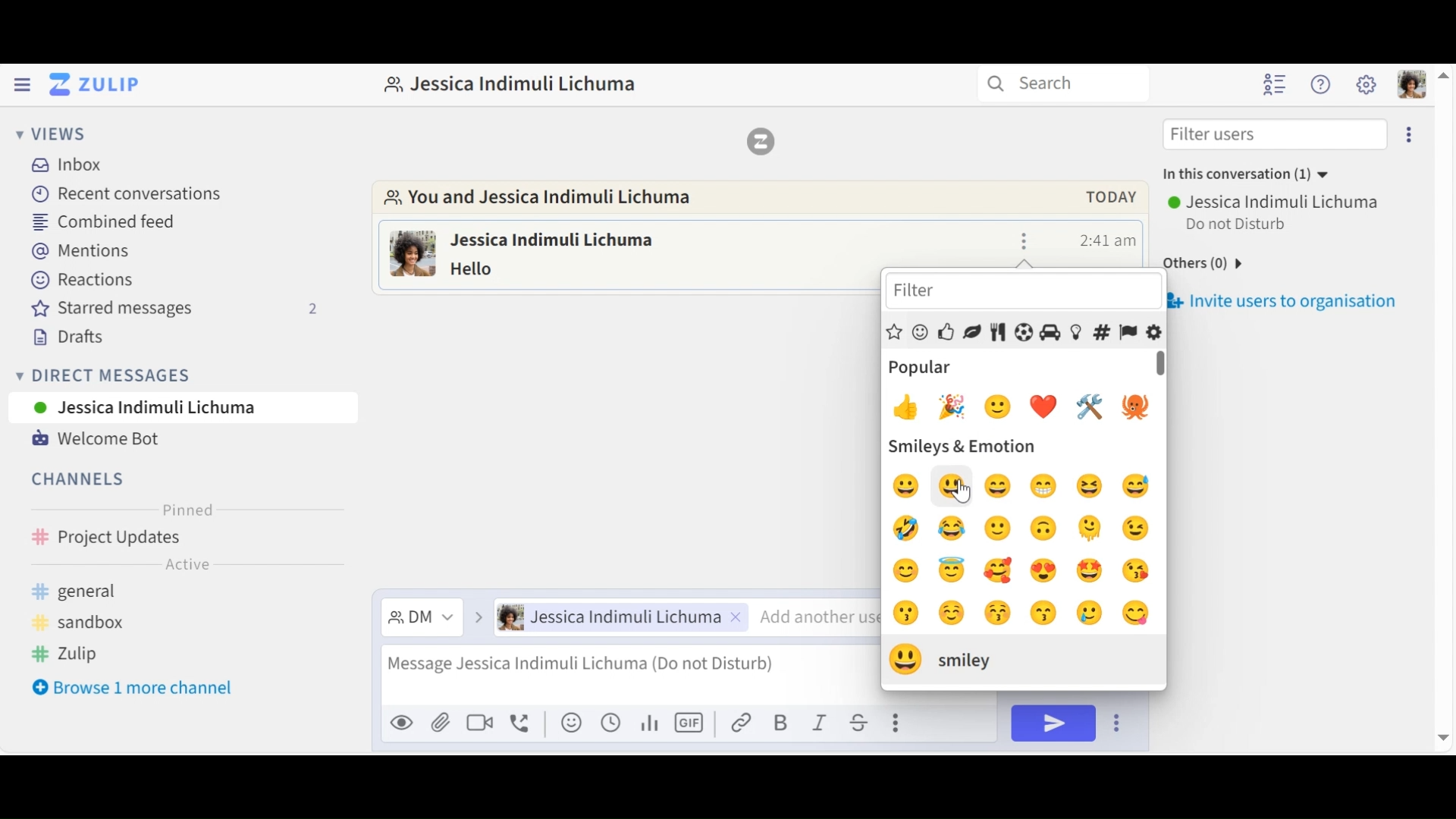  What do you see at coordinates (1095, 529) in the screenshot?
I see `melting` at bounding box center [1095, 529].